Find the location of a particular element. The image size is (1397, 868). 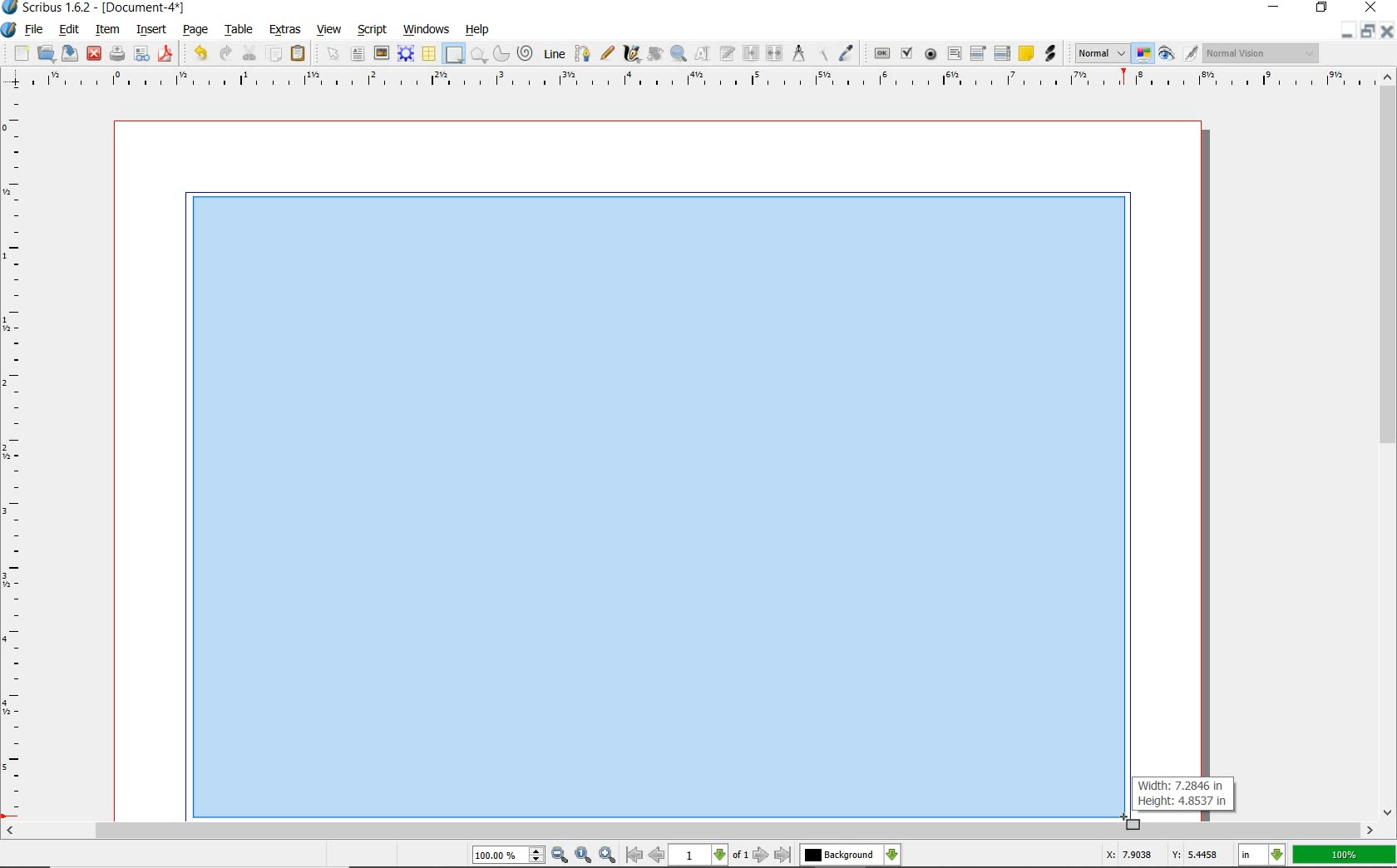

pdf check box is located at coordinates (906, 52).